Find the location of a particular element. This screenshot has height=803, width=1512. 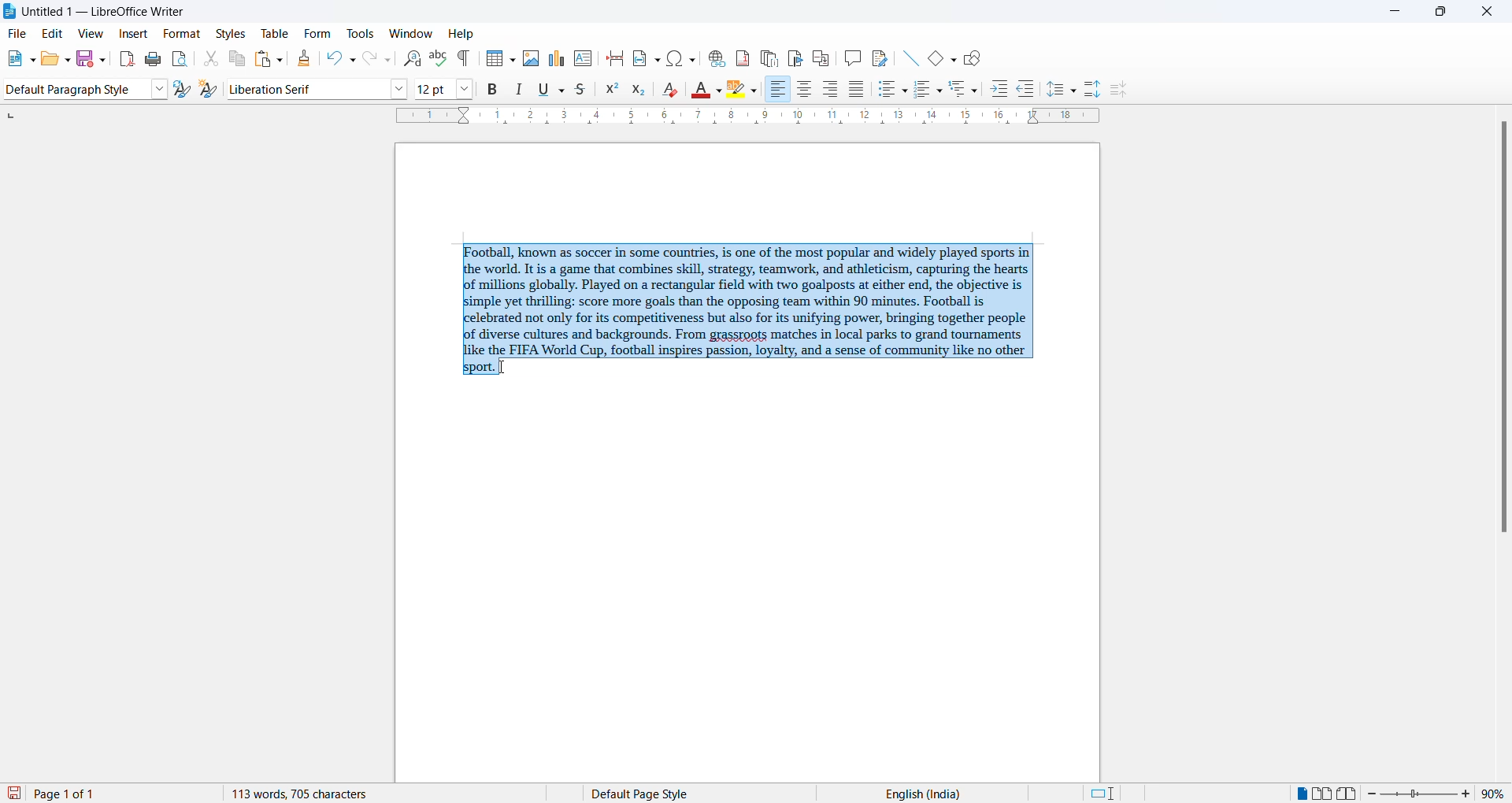

create new style from selections is located at coordinates (209, 89).